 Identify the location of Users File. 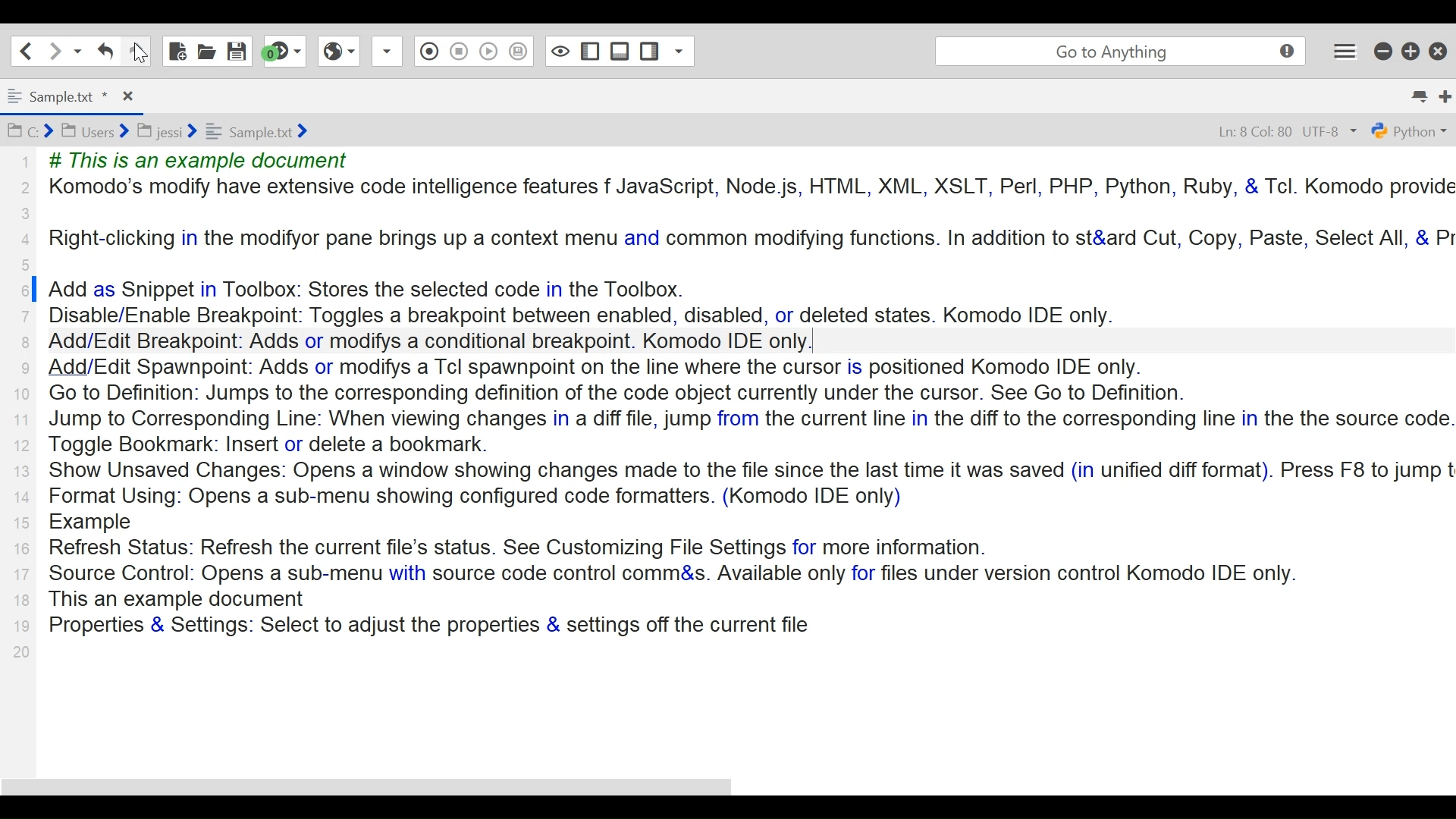
(95, 130).